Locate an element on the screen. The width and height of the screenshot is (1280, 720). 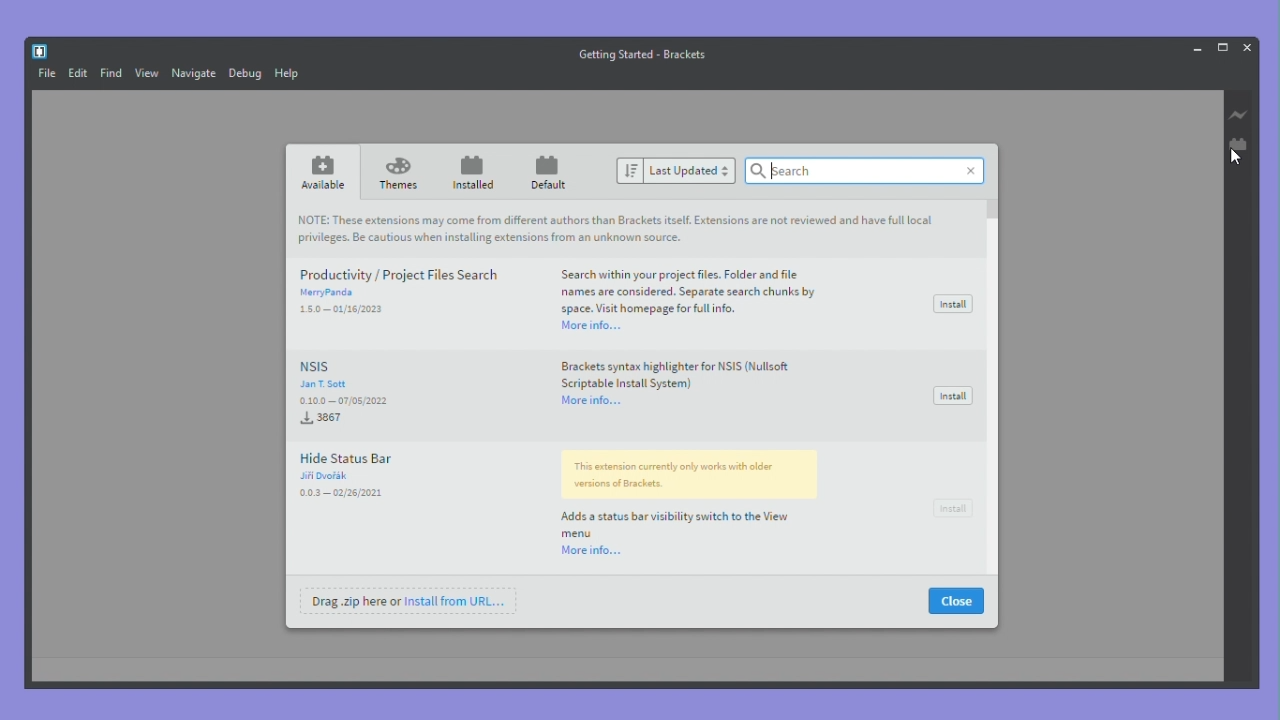
0.0.3-02/26/2021 is located at coordinates (340, 492).